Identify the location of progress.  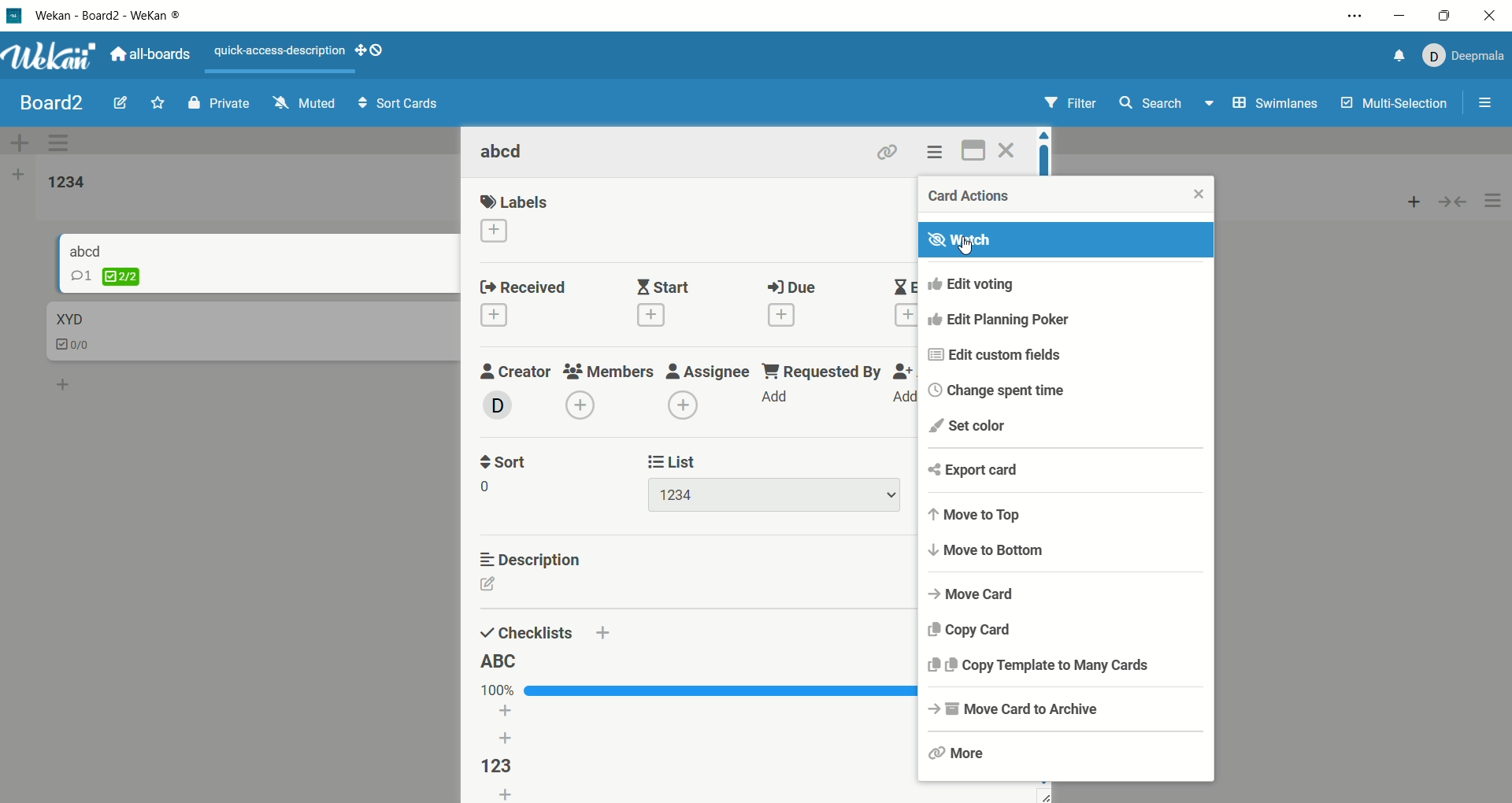
(689, 688).